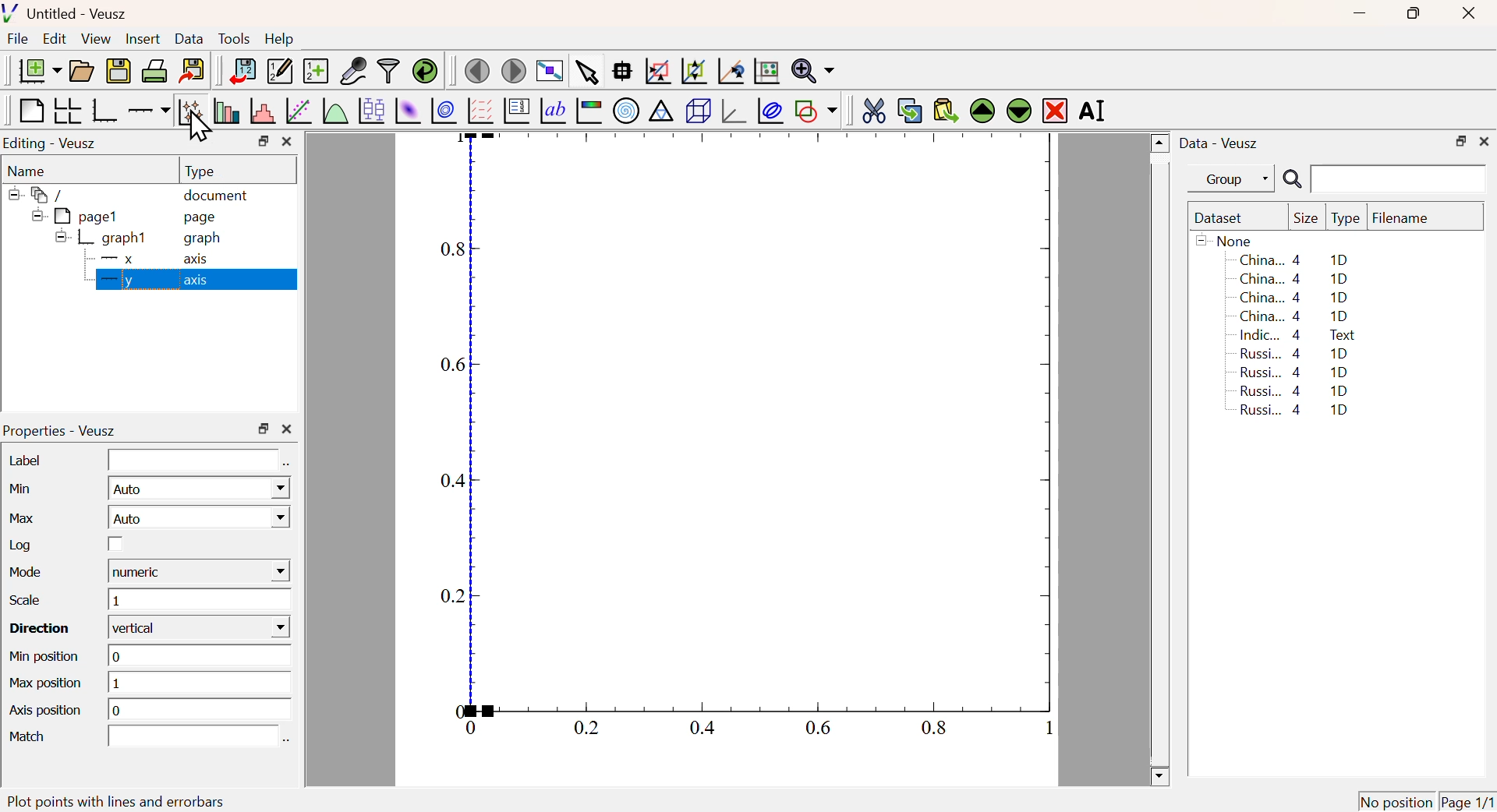 The image size is (1497, 812). I want to click on Open a document, so click(80, 71).